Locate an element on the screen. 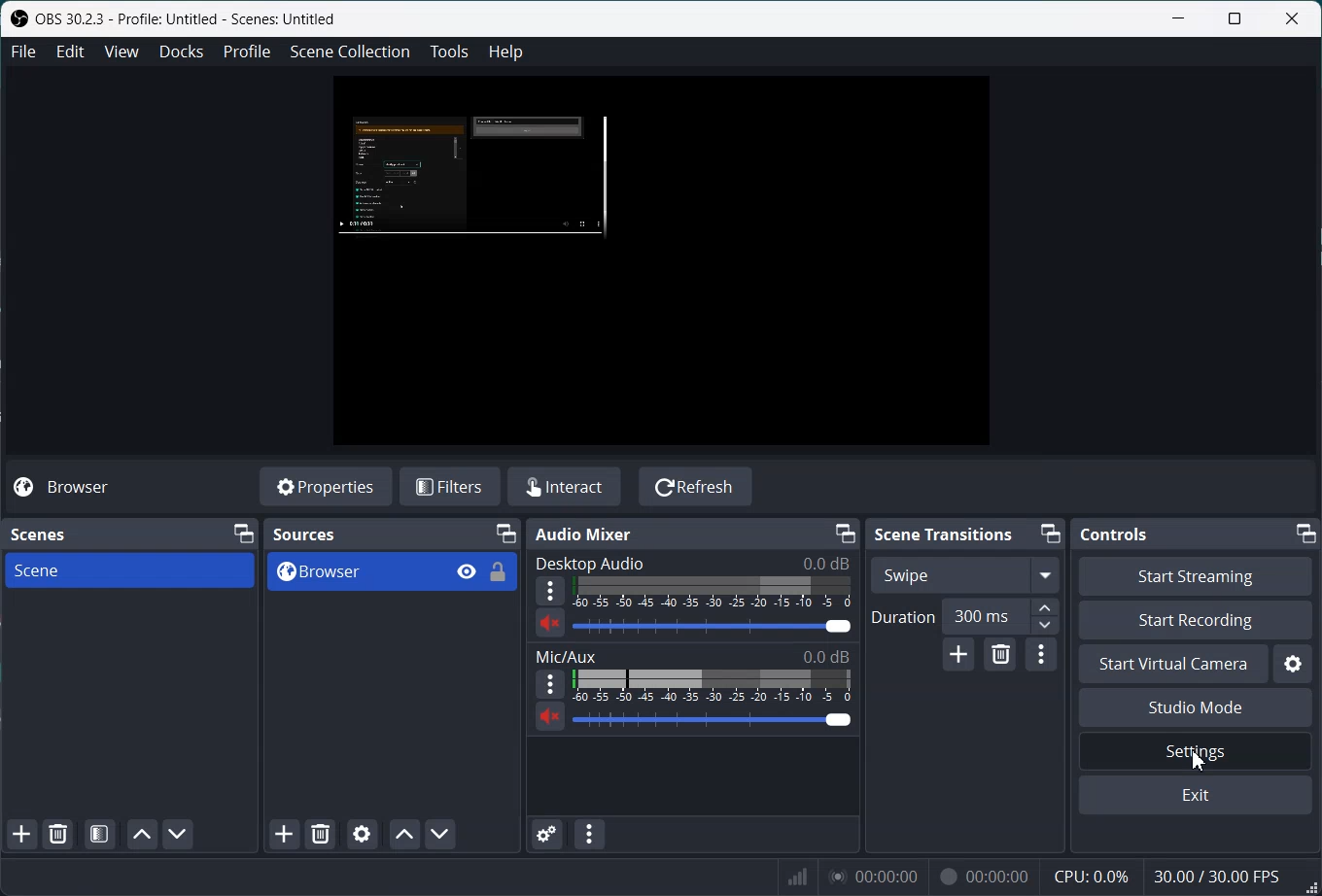 The image size is (1322, 896). Add Scene is located at coordinates (22, 834).